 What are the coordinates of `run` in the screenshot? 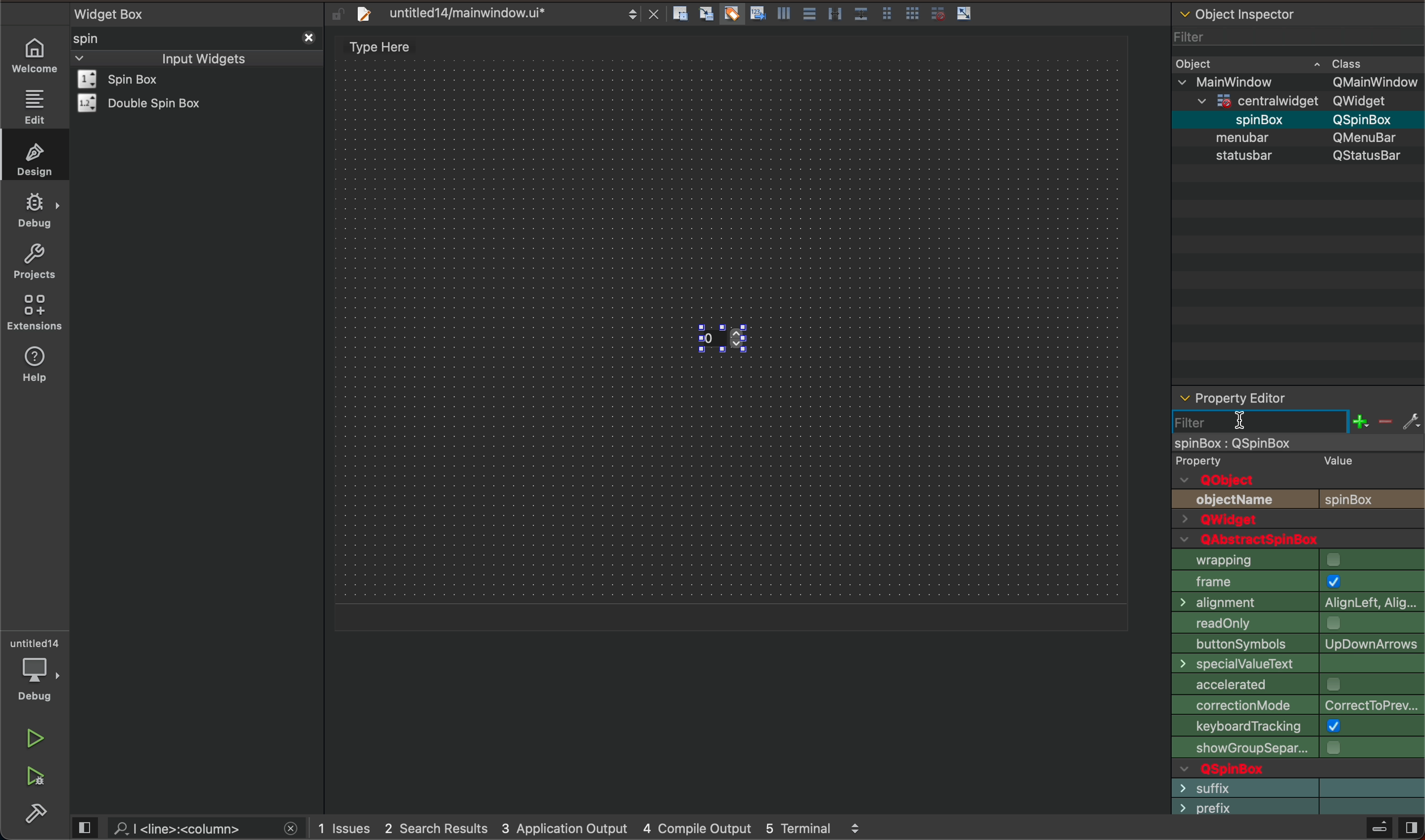 It's located at (33, 739).